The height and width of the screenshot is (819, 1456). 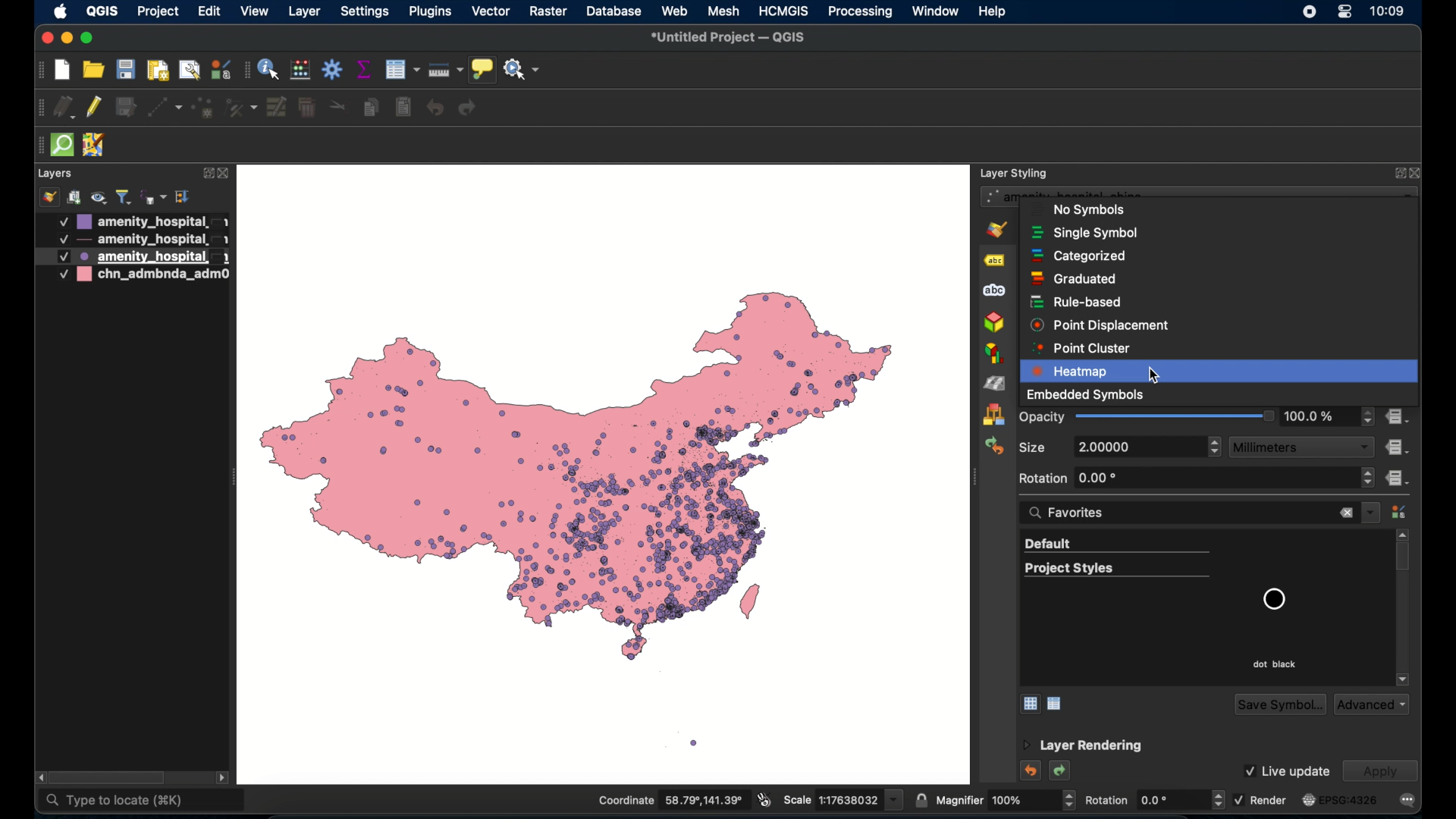 I want to click on scale, so click(x=841, y=801).